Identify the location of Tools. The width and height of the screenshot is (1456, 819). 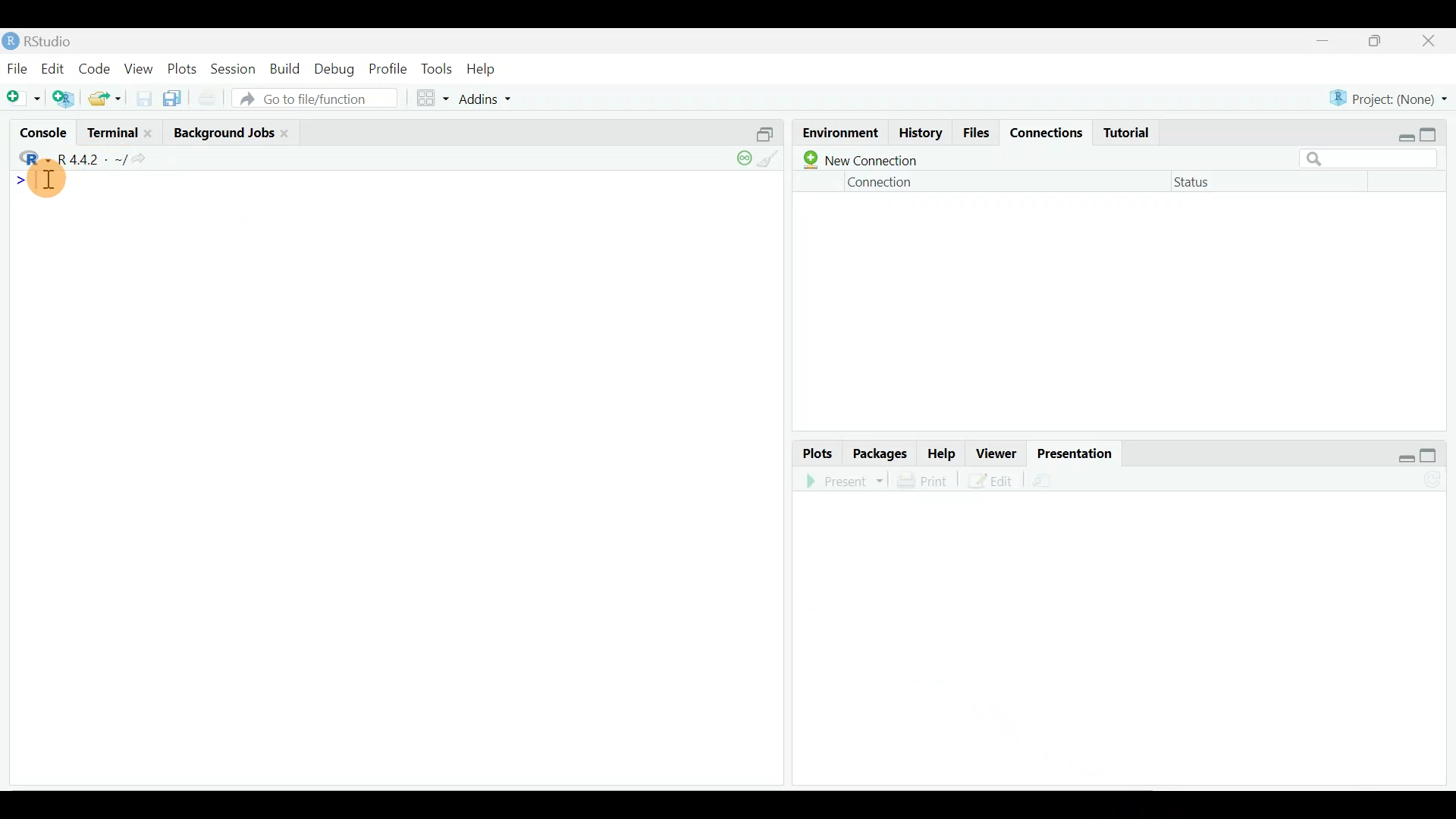
(438, 67).